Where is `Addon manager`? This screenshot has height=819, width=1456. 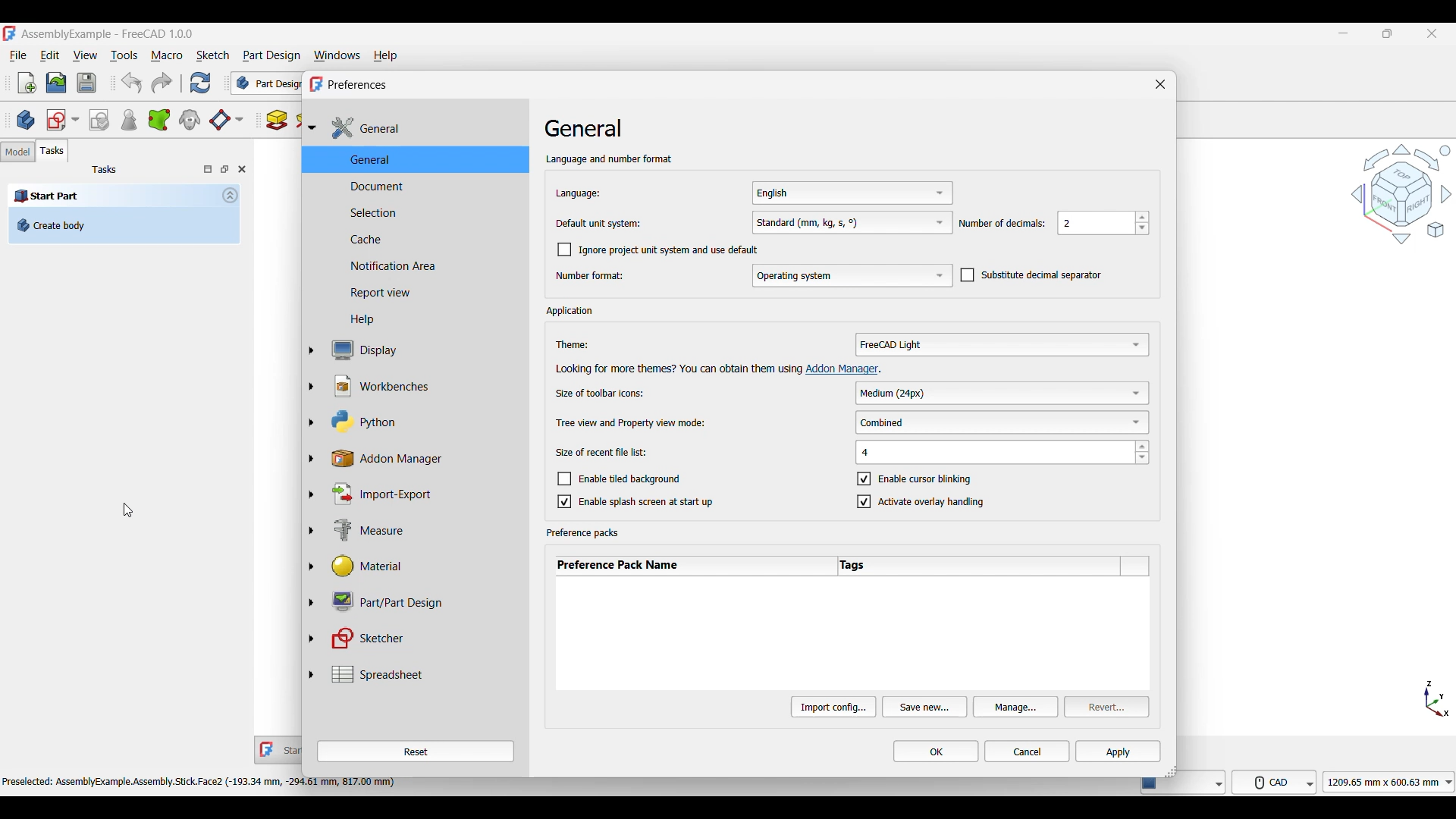
Addon manager is located at coordinates (846, 370).